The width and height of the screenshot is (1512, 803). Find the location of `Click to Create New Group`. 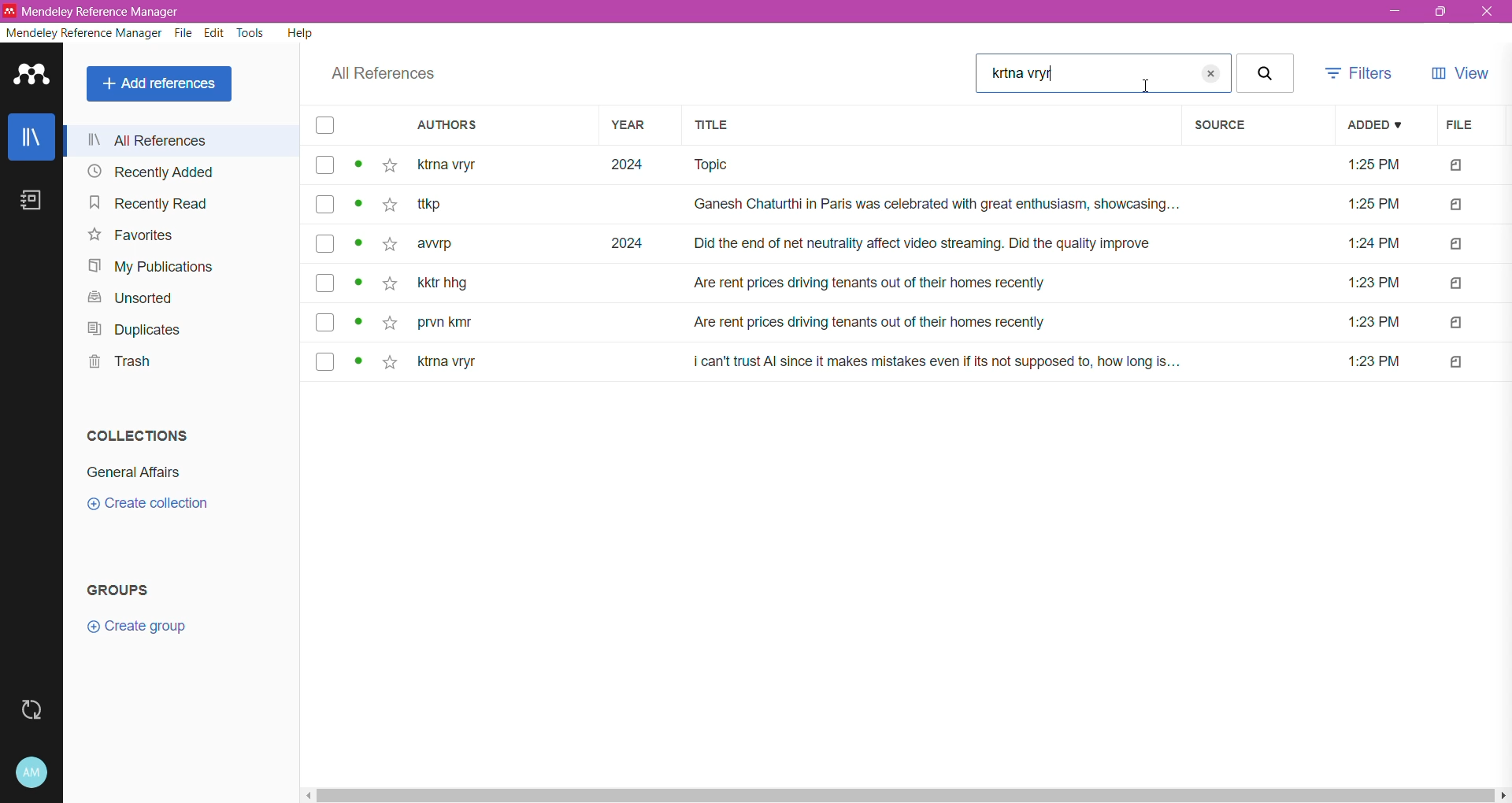

Click to Create New Group is located at coordinates (162, 631).